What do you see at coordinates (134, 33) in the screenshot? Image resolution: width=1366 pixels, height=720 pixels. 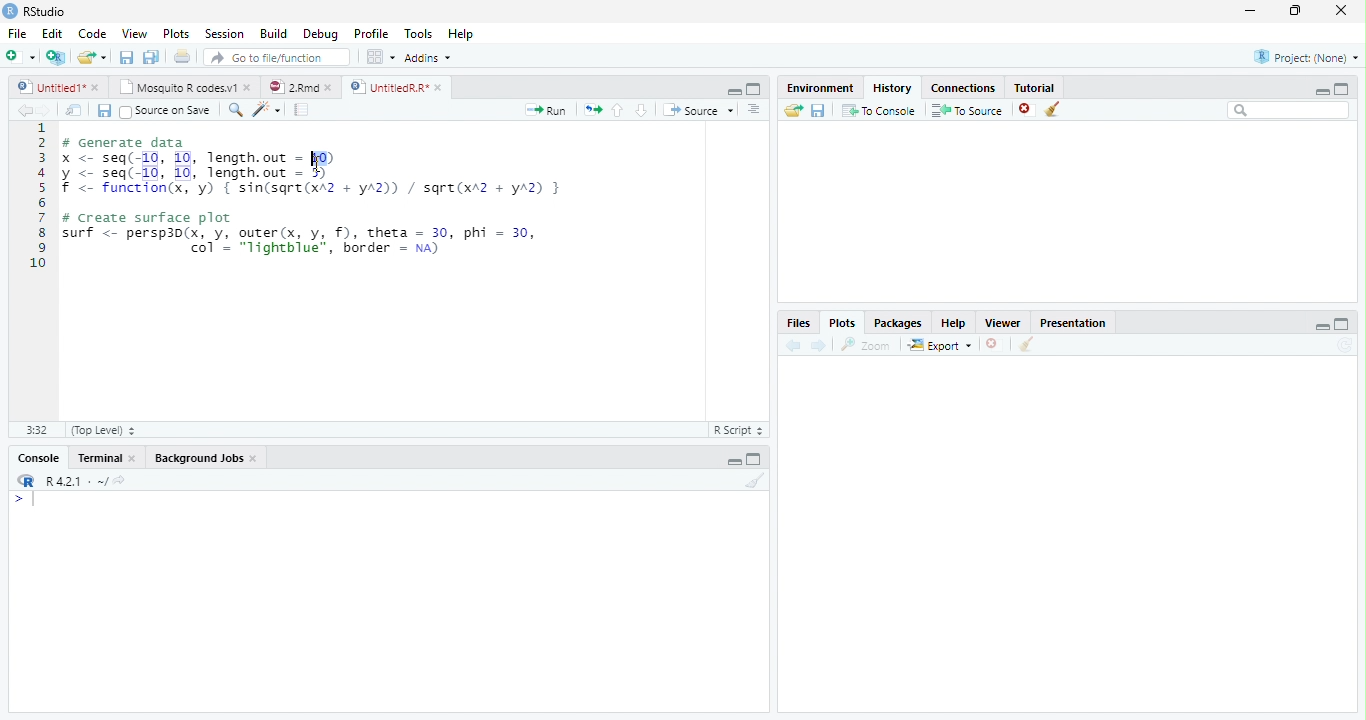 I see `View` at bounding box center [134, 33].